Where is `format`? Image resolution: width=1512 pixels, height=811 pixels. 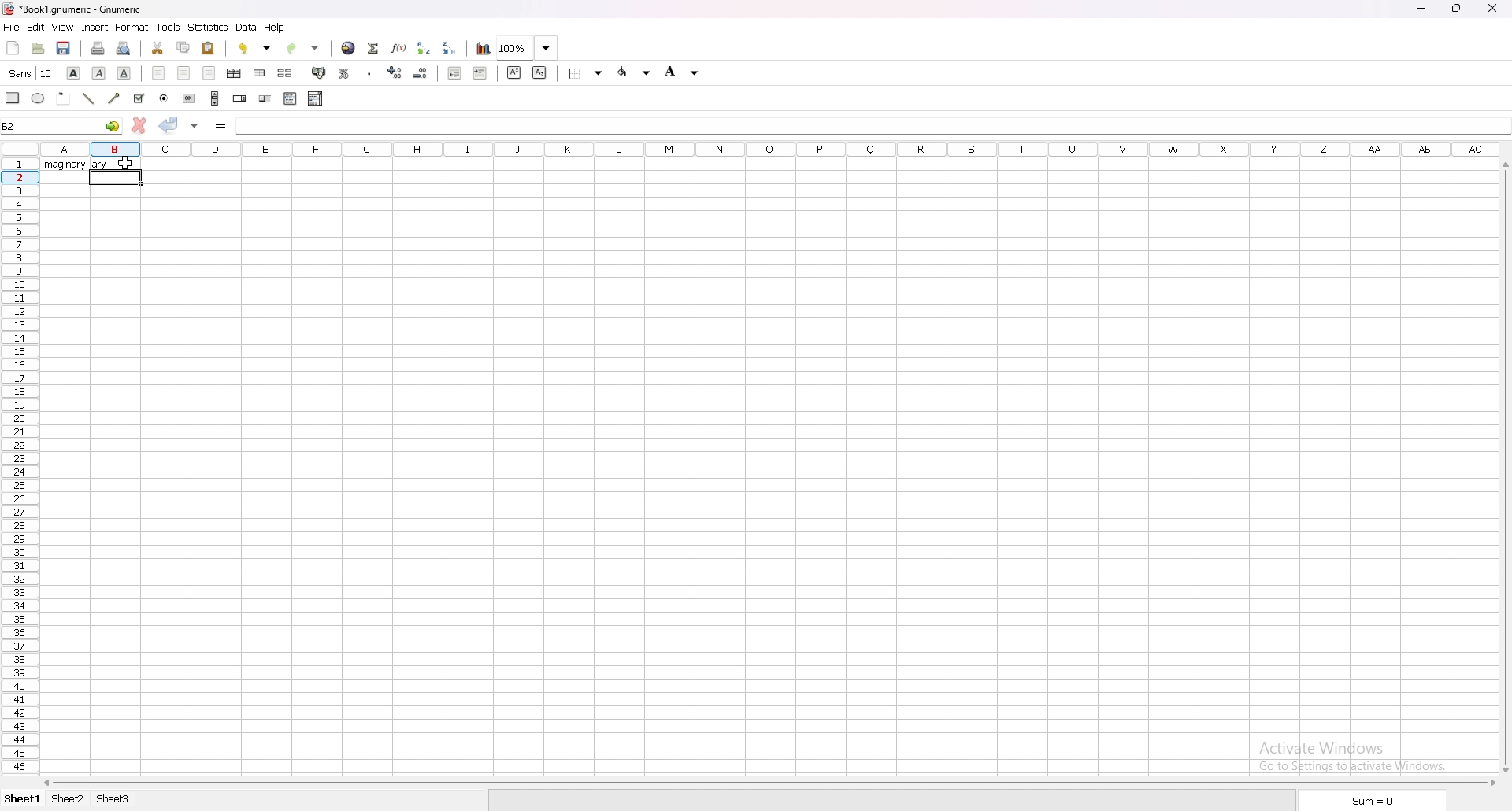
format is located at coordinates (132, 27).